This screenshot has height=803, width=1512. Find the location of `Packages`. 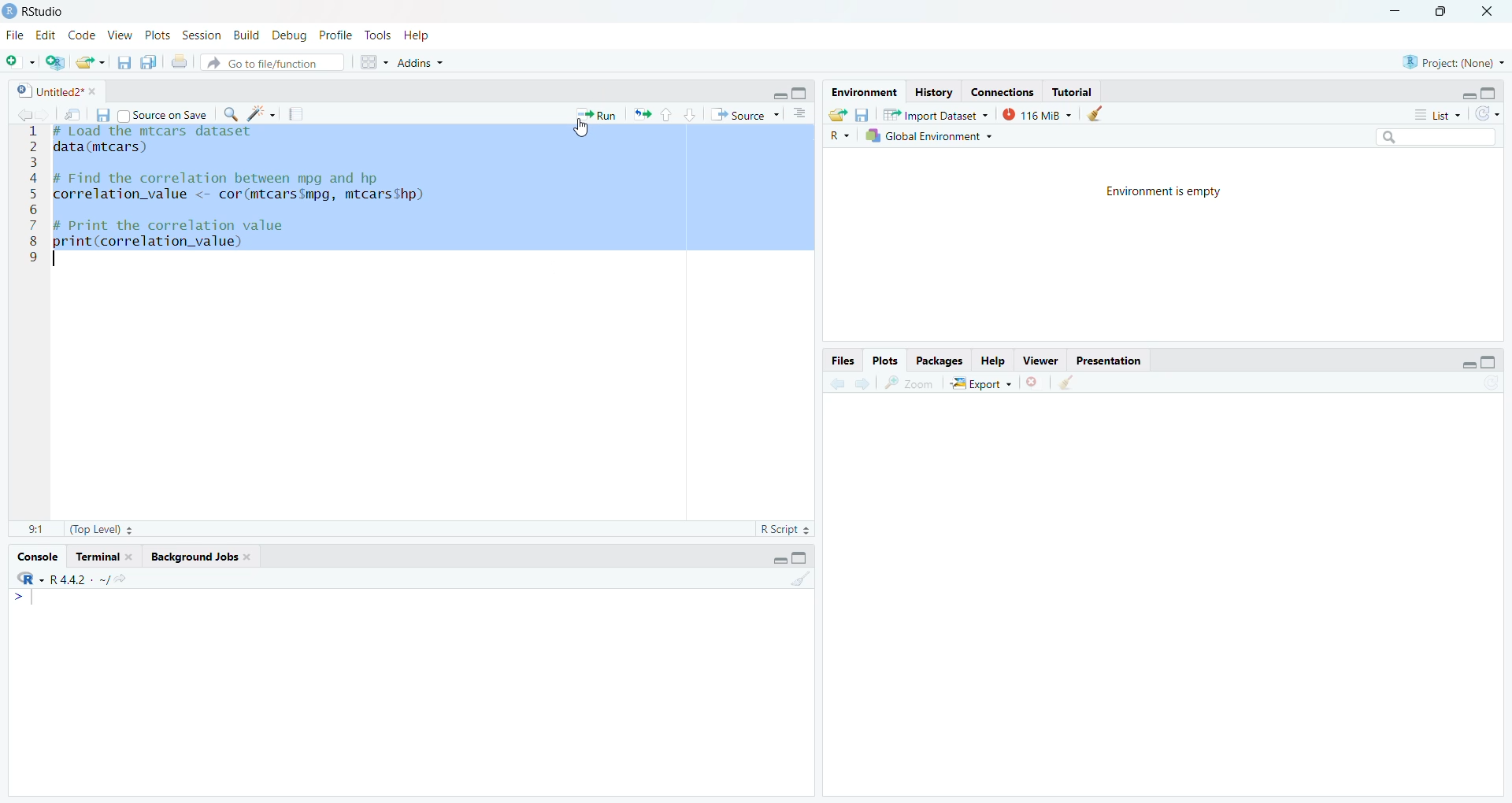

Packages is located at coordinates (943, 358).